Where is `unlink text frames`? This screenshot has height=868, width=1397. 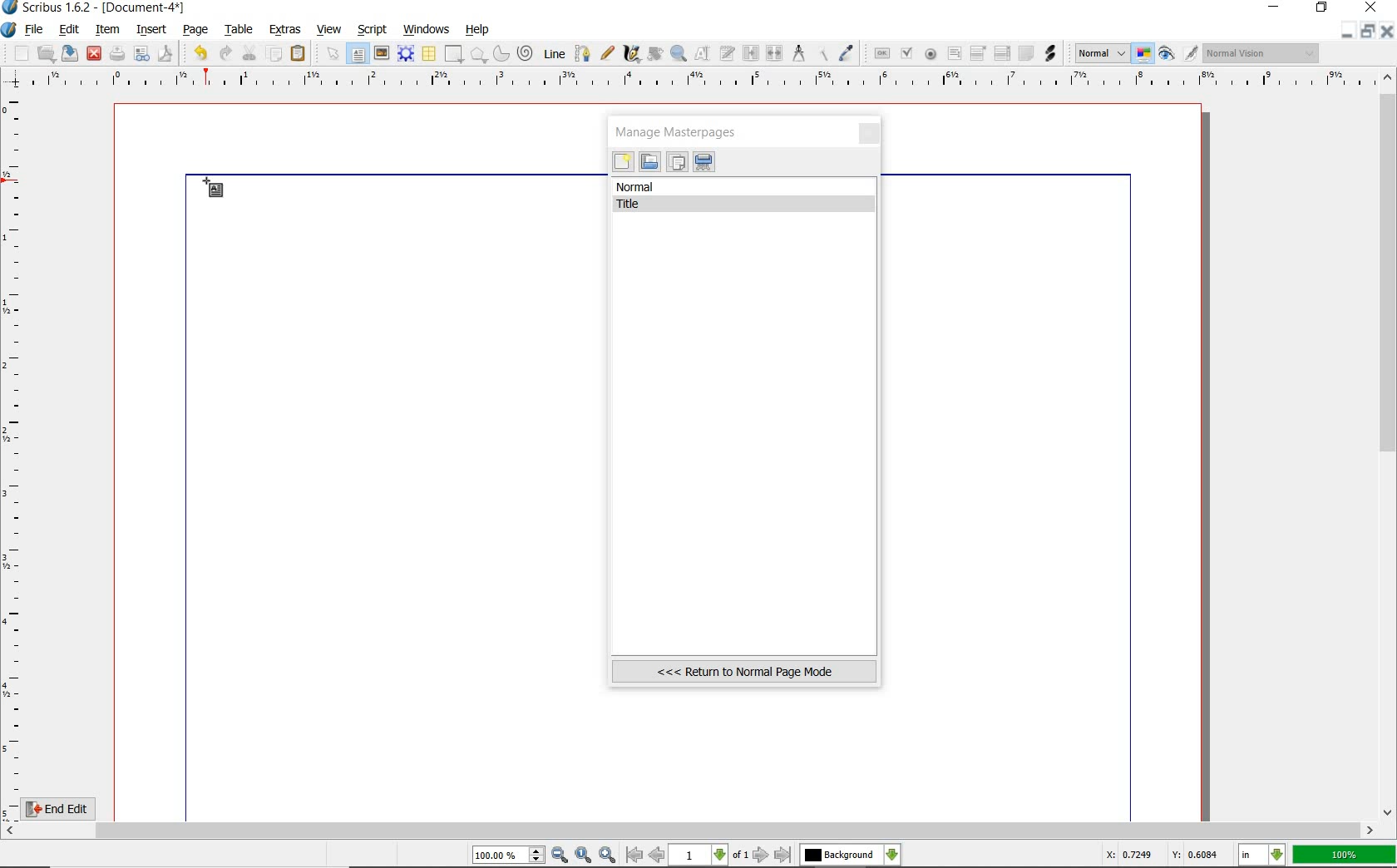
unlink text frames is located at coordinates (775, 54).